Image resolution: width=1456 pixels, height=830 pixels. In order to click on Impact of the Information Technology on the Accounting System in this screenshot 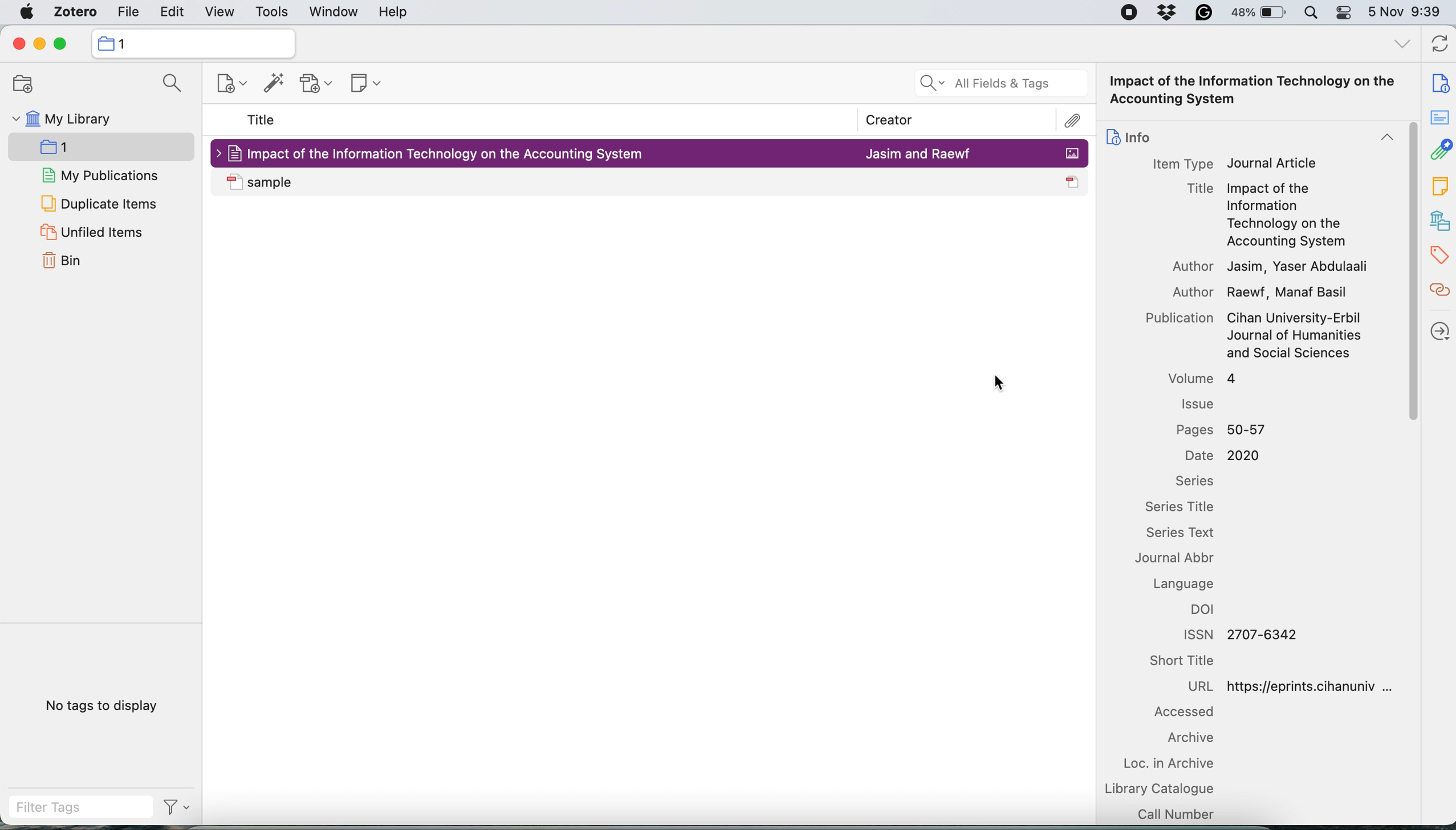, I will do `click(1301, 214)`.